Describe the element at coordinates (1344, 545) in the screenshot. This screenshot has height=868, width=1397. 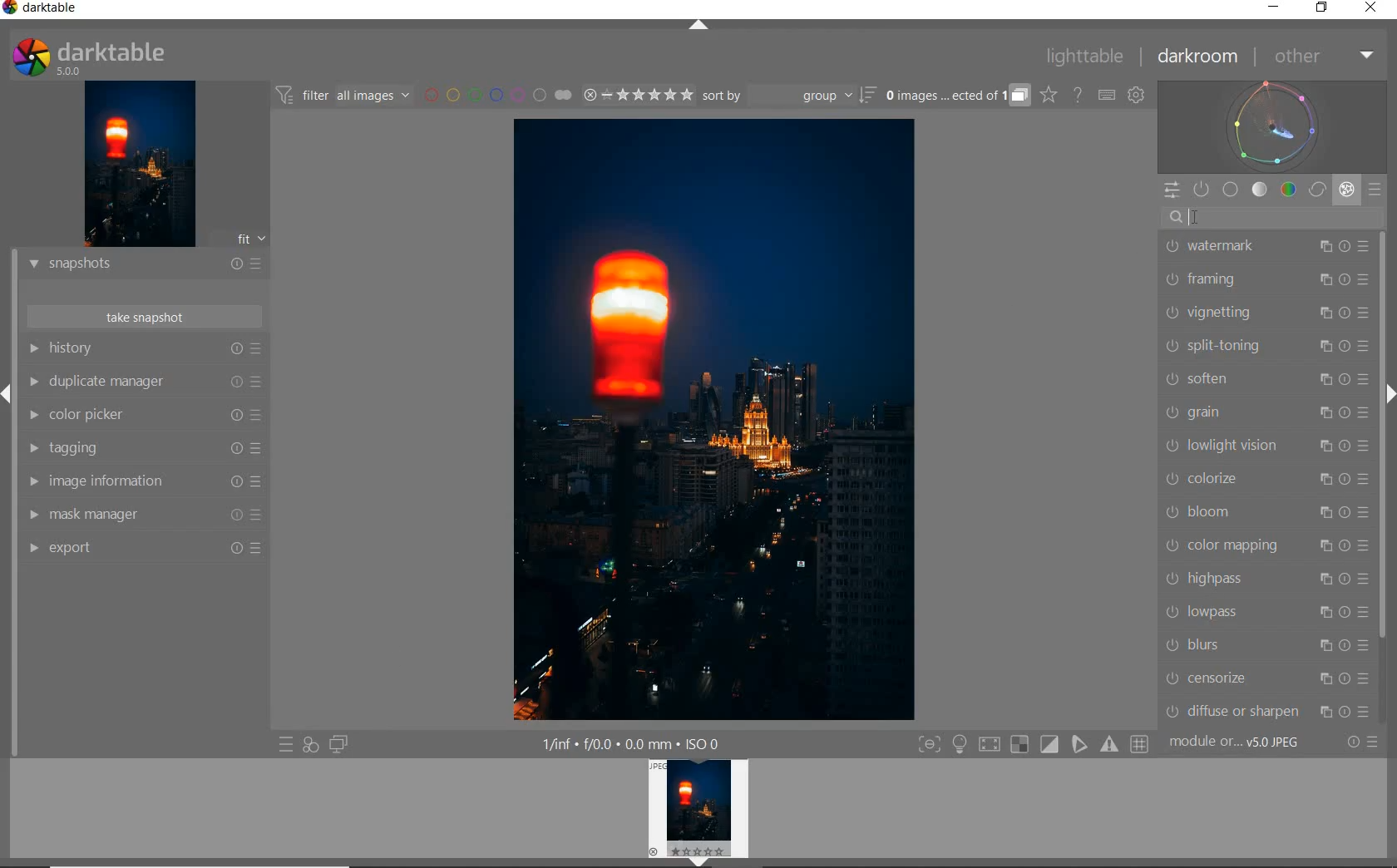
I see `Reset` at that location.